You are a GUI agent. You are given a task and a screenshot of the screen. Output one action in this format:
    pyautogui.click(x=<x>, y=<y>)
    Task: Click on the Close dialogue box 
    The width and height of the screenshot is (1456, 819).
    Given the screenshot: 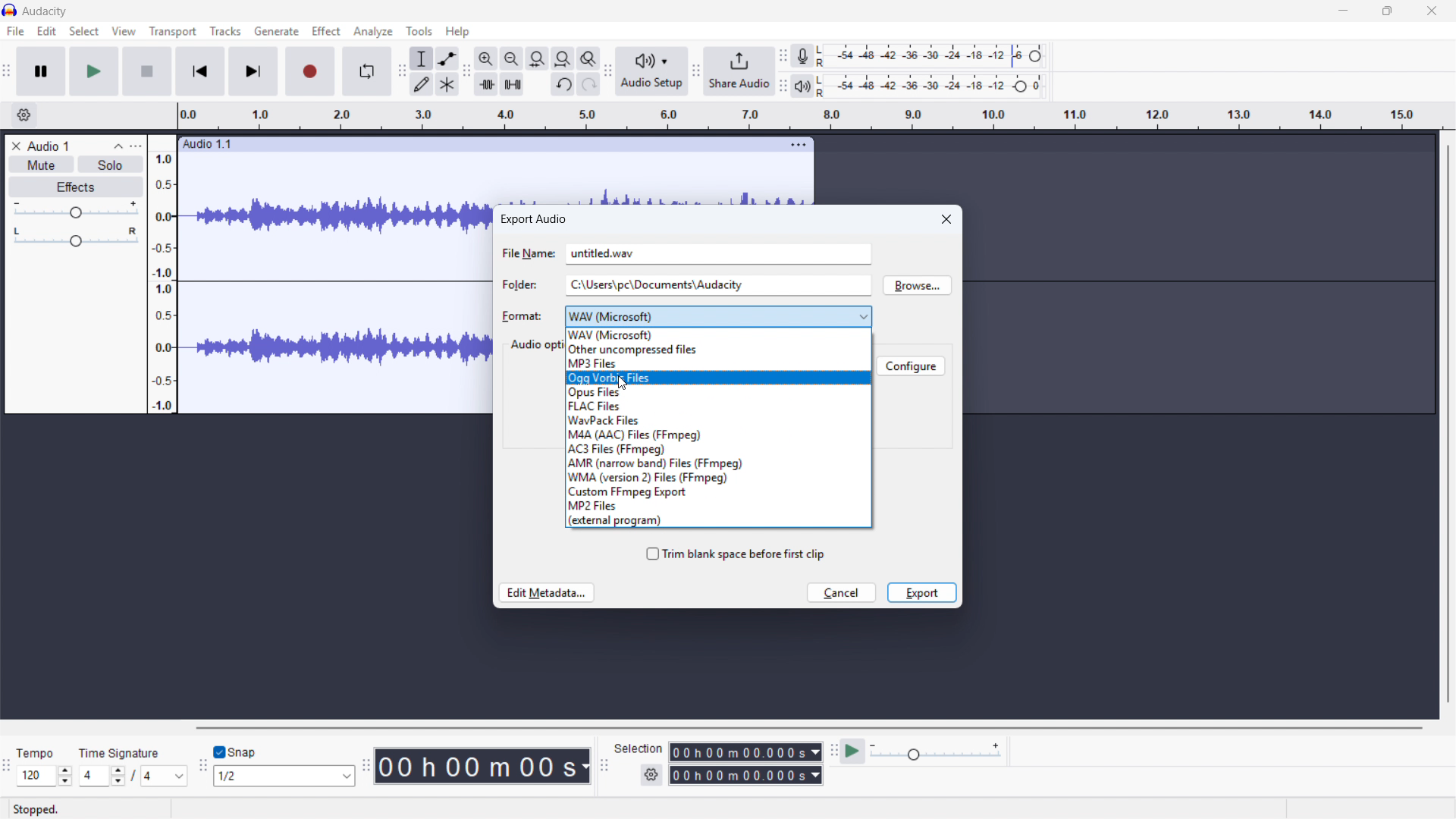 What is the action you would take?
    pyautogui.click(x=947, y=218)
    